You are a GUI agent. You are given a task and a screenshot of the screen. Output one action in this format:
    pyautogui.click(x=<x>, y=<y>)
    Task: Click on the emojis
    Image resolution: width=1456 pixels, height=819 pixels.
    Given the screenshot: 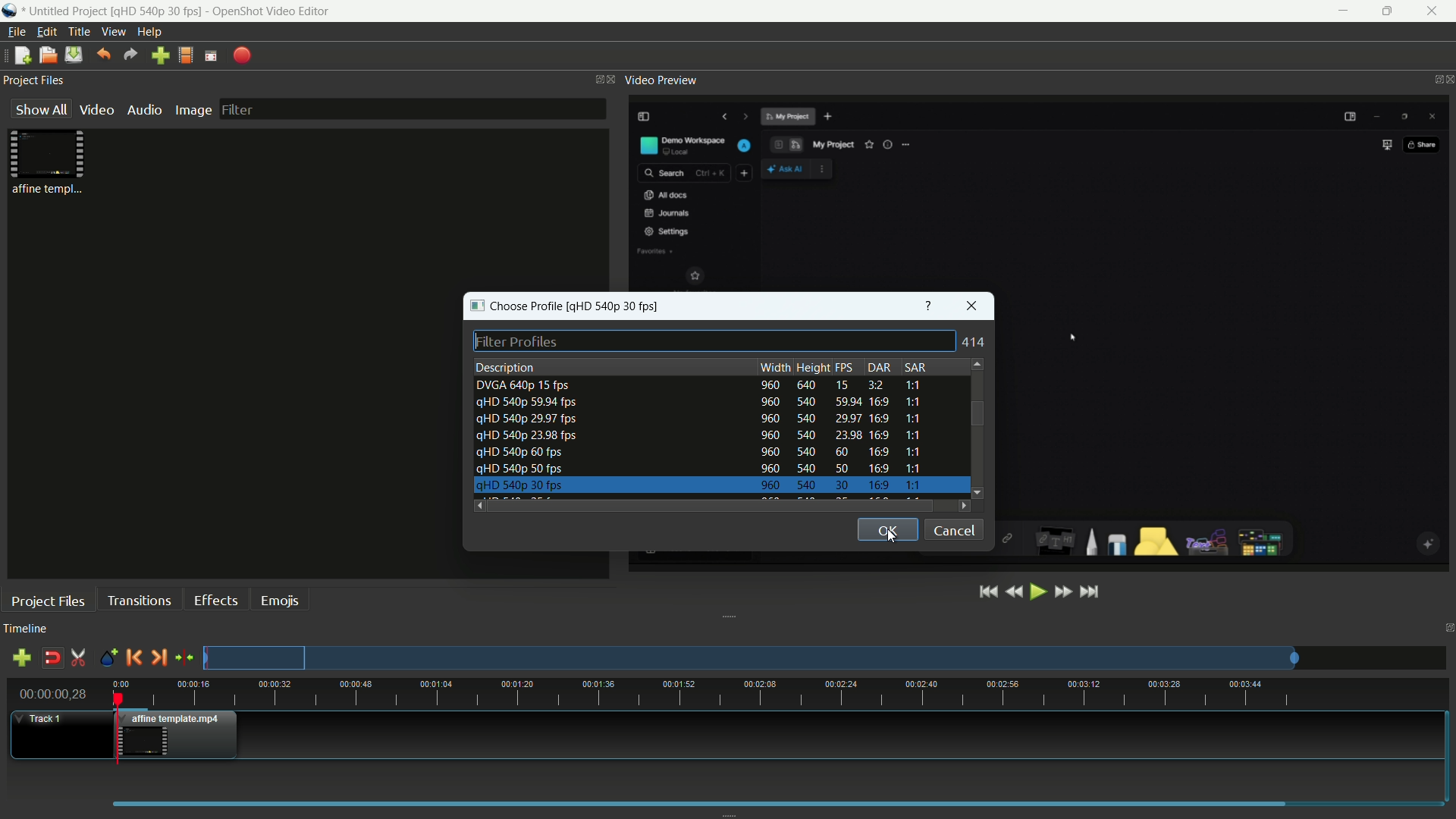 What is the action you would take?
    pyautogui.click(x=280, y=601)
    